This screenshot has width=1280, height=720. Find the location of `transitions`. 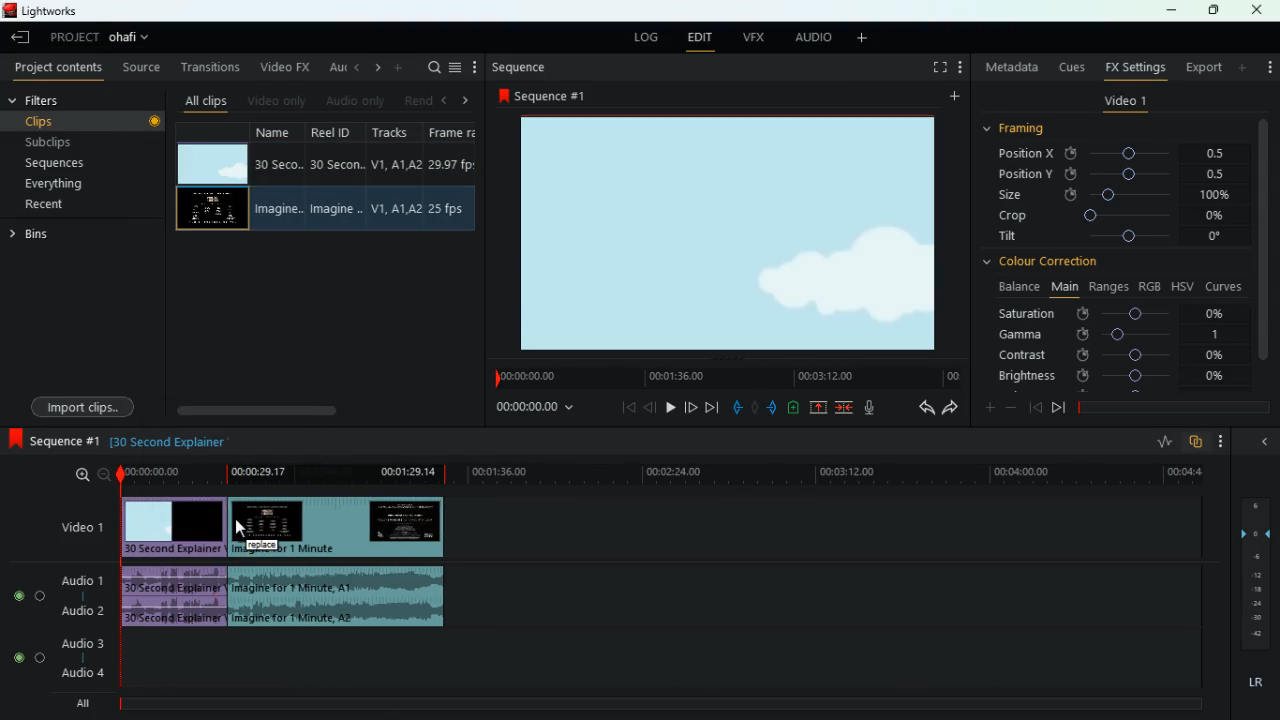

transitions is located at coordinates (212, 67).